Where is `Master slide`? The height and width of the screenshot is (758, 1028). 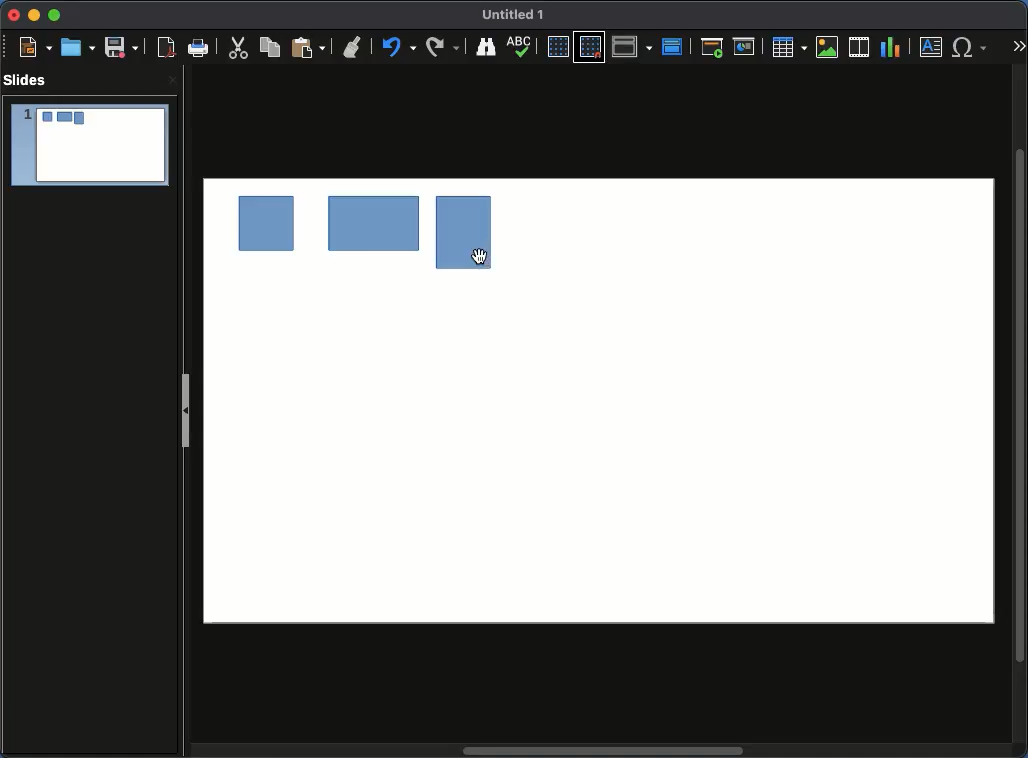 Master slide is located at coordinates (673, 46).